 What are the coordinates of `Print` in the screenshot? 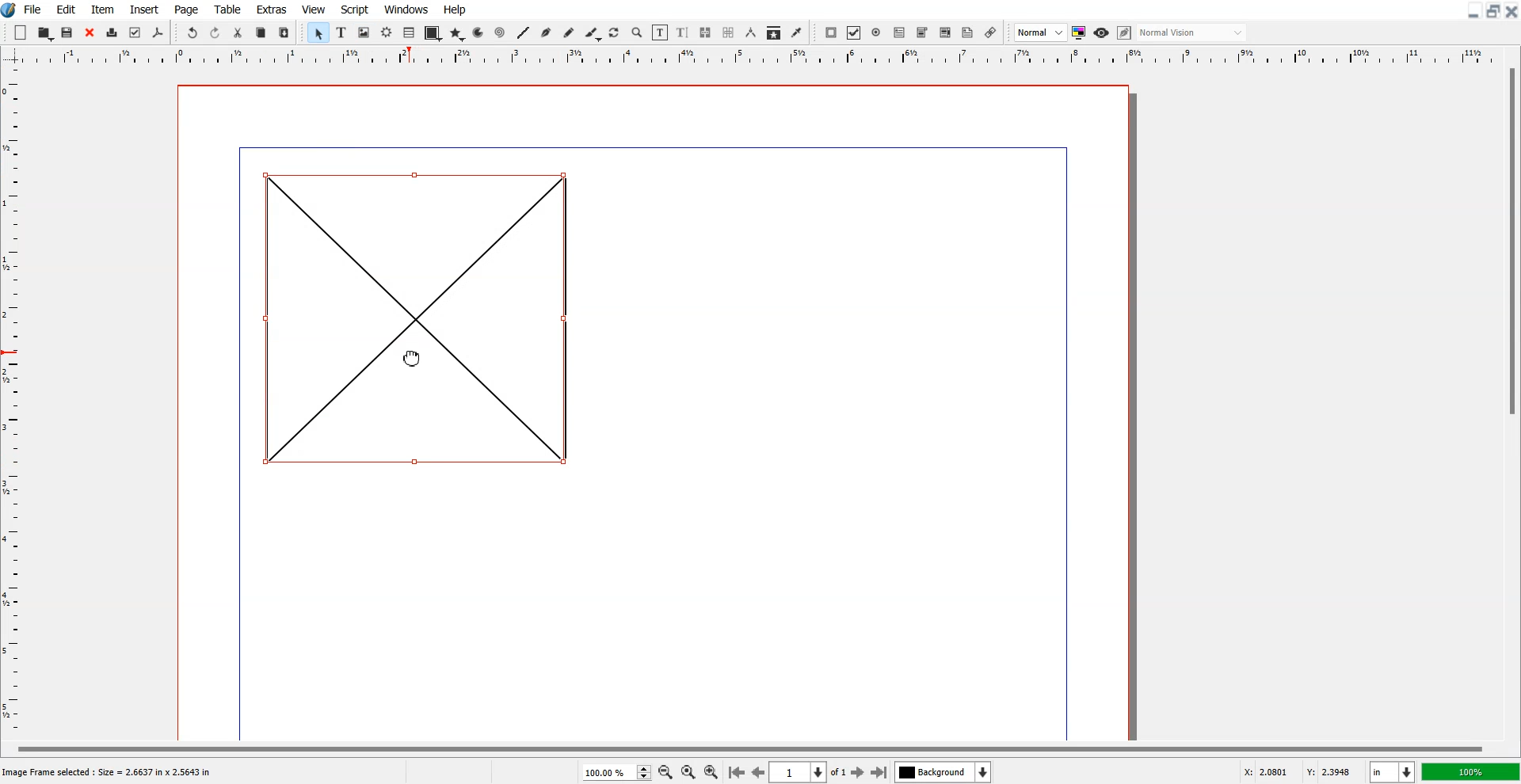 It's located at (112, 32).